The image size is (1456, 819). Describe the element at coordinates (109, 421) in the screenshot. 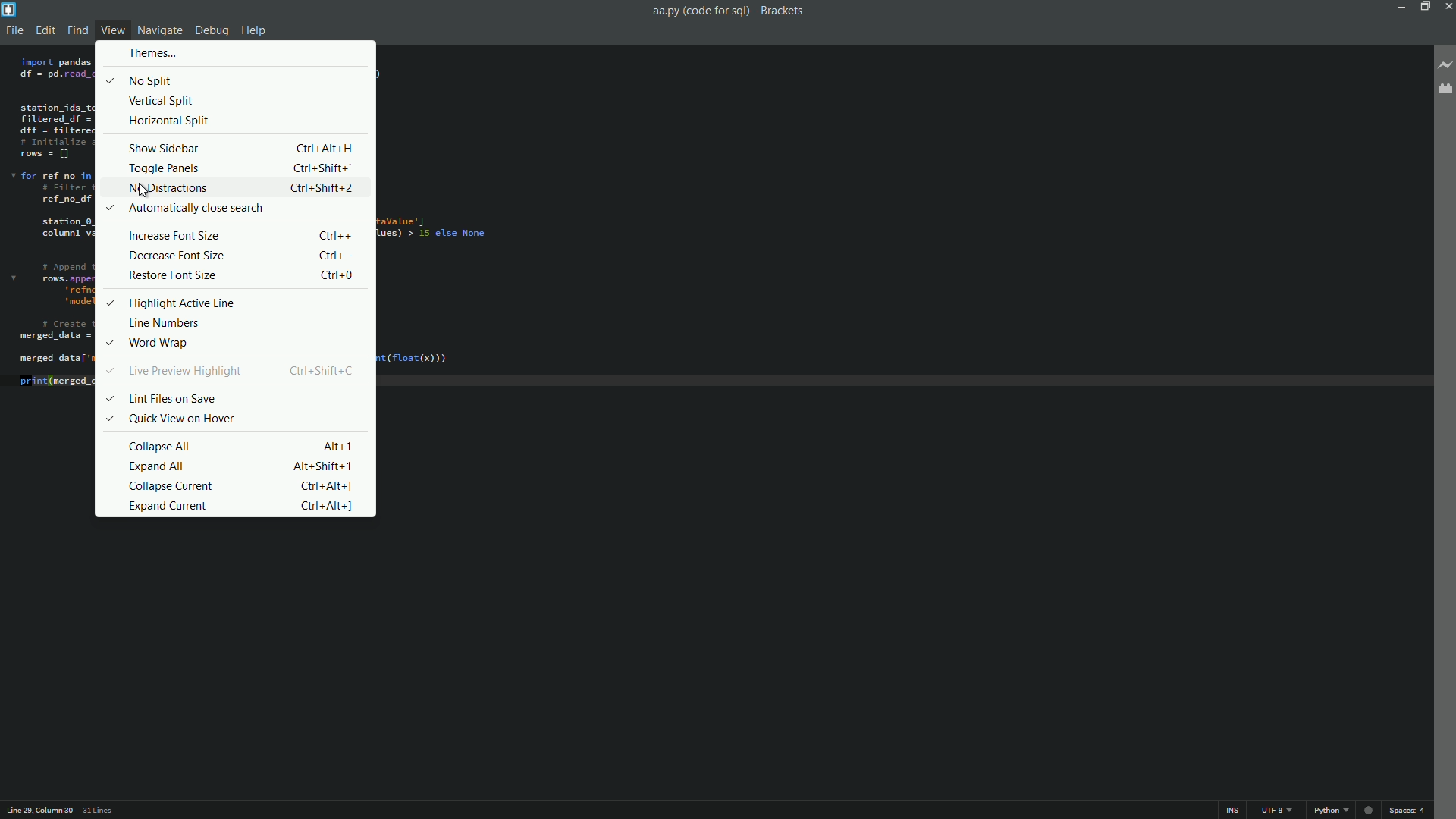

I see `Select` at that location.